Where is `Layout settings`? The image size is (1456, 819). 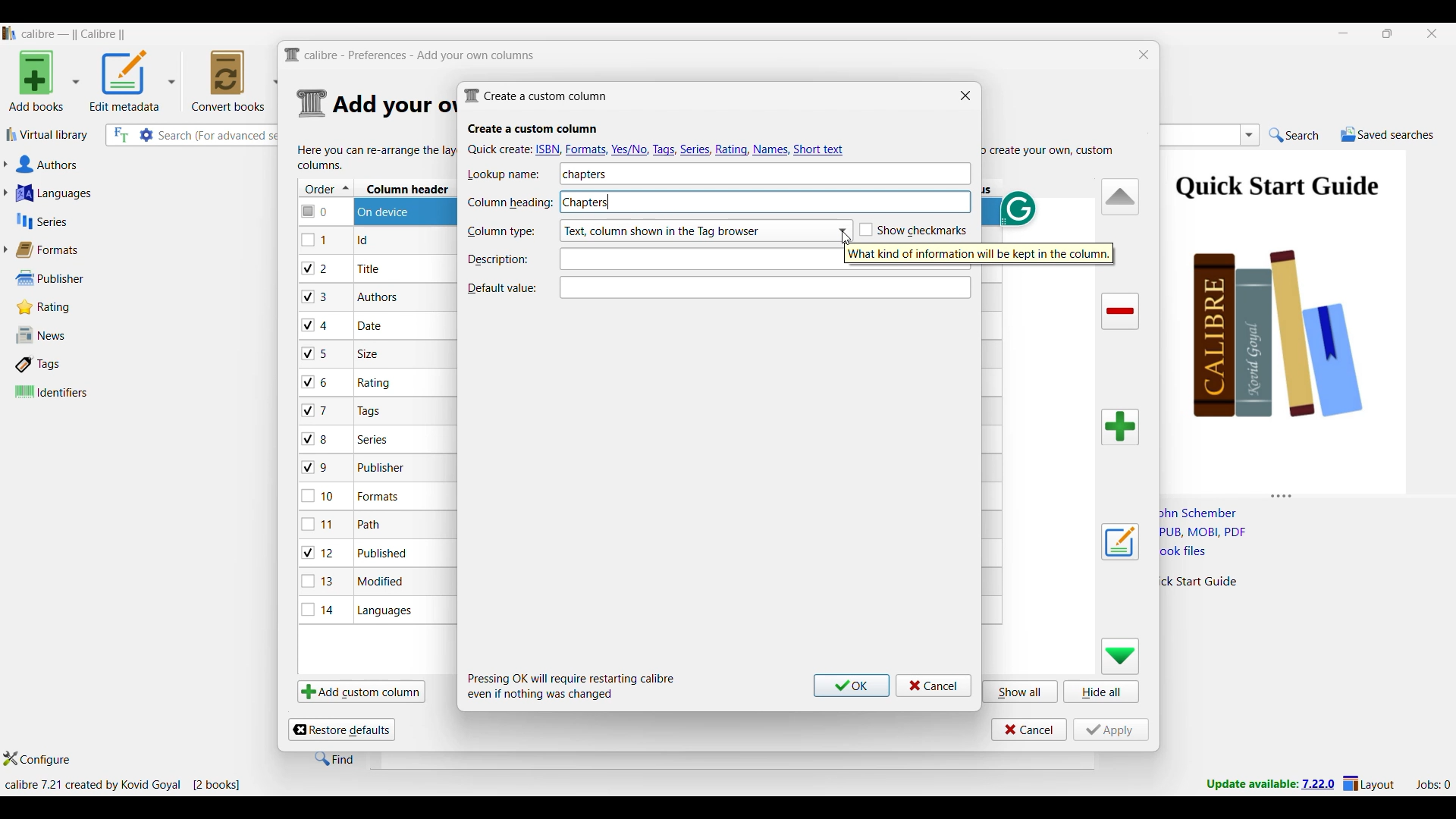 Layout settings is located at coordinates (1369, 783).